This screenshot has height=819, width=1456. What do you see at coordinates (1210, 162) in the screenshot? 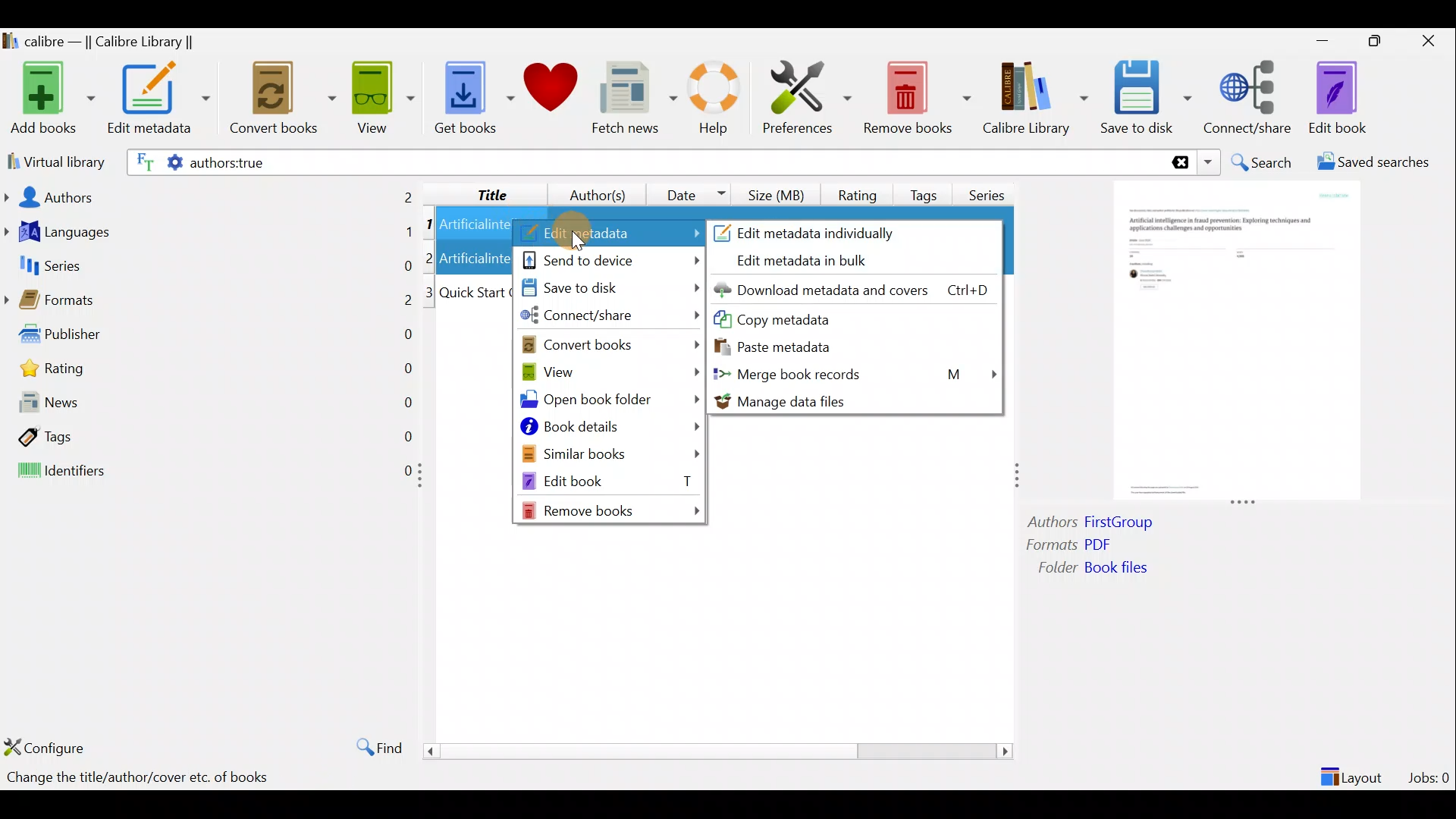
I see `Search dropdown` at bounding box center [1210, 162].